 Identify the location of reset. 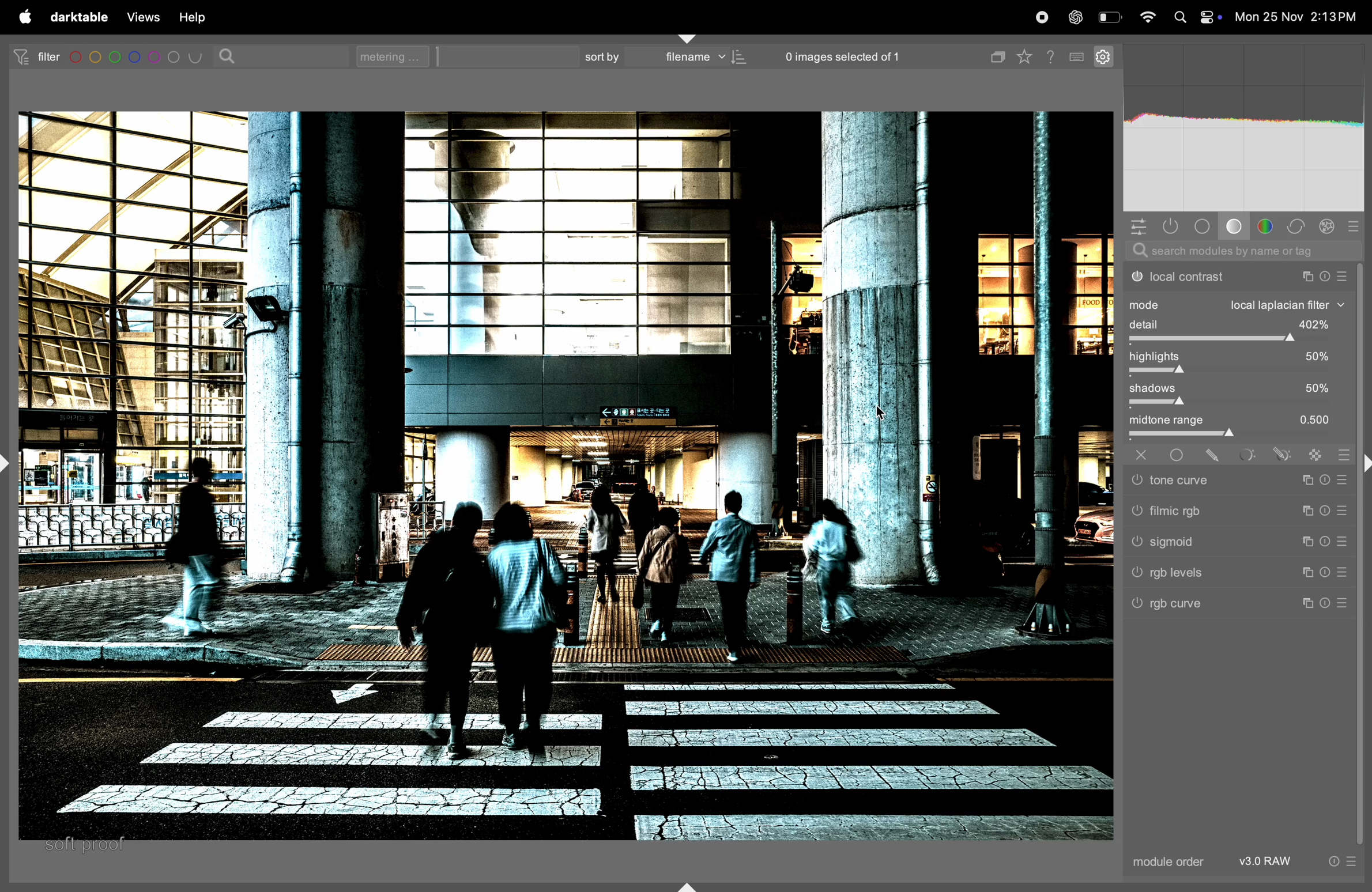
(1332, 861).